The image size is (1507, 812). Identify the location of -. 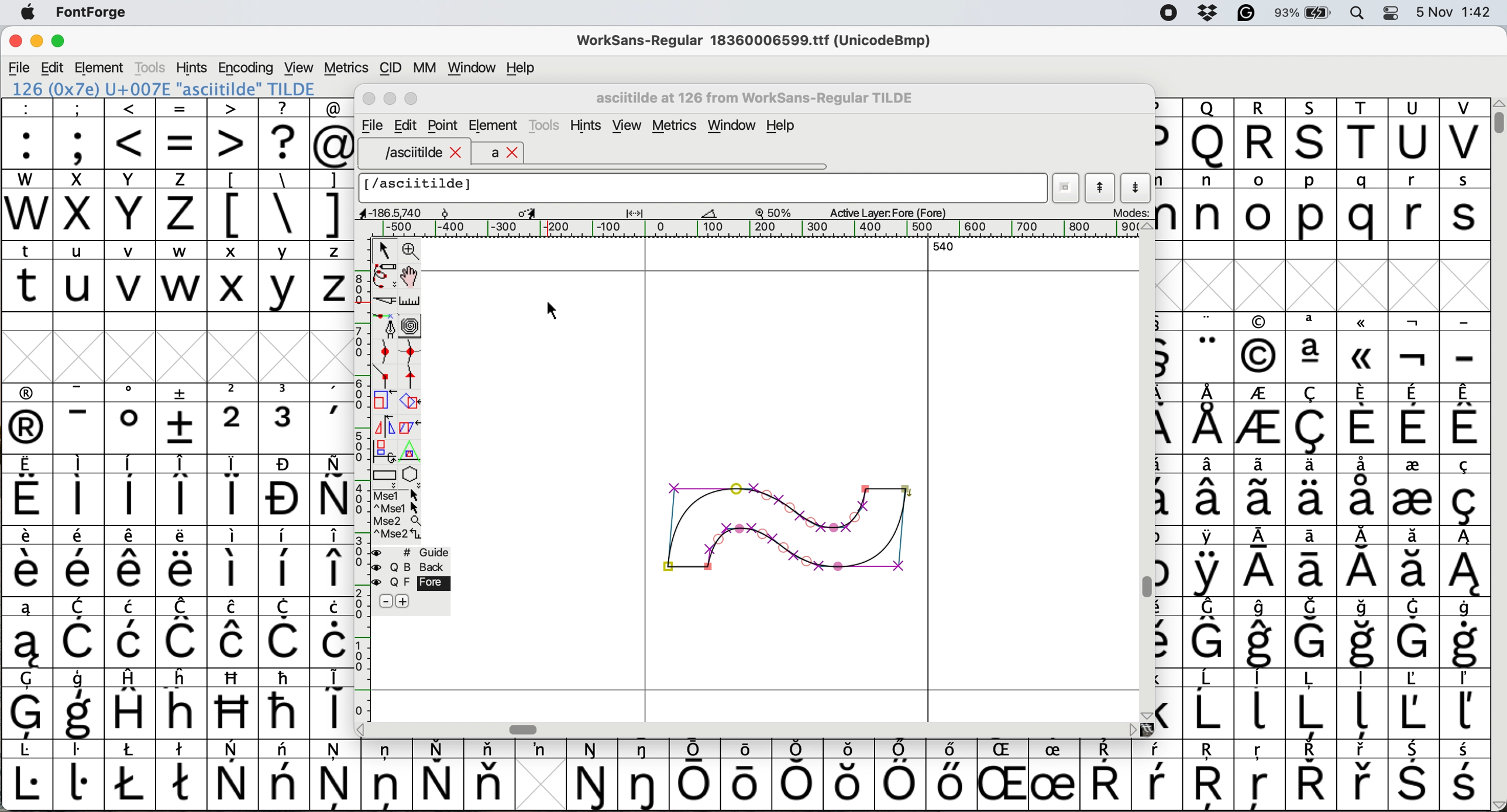
(1465, 349).